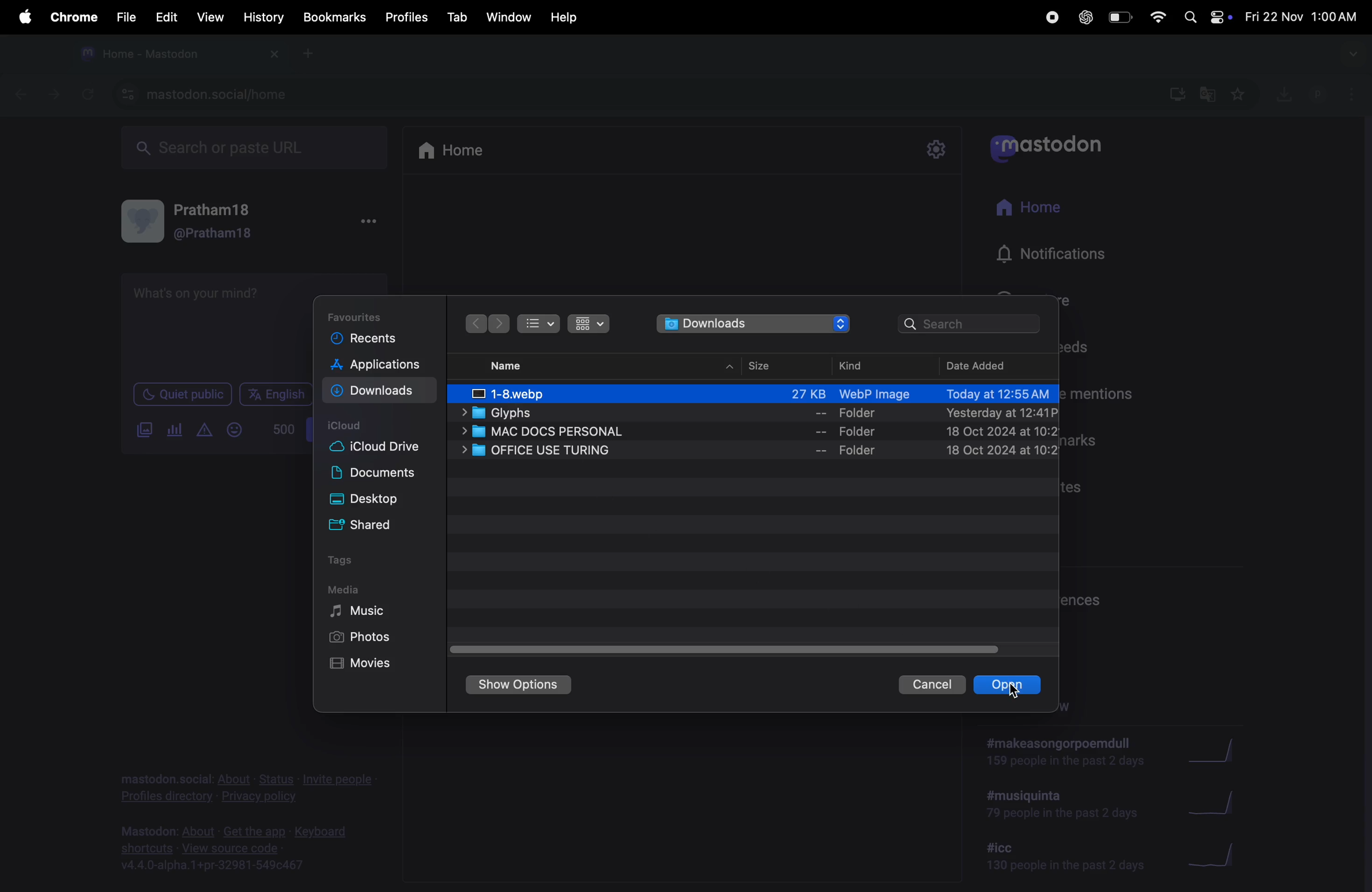  What do you see at coordinates (377, 449) in the screenshot?
I see `cloud drive` at bounding box center [377, 449].